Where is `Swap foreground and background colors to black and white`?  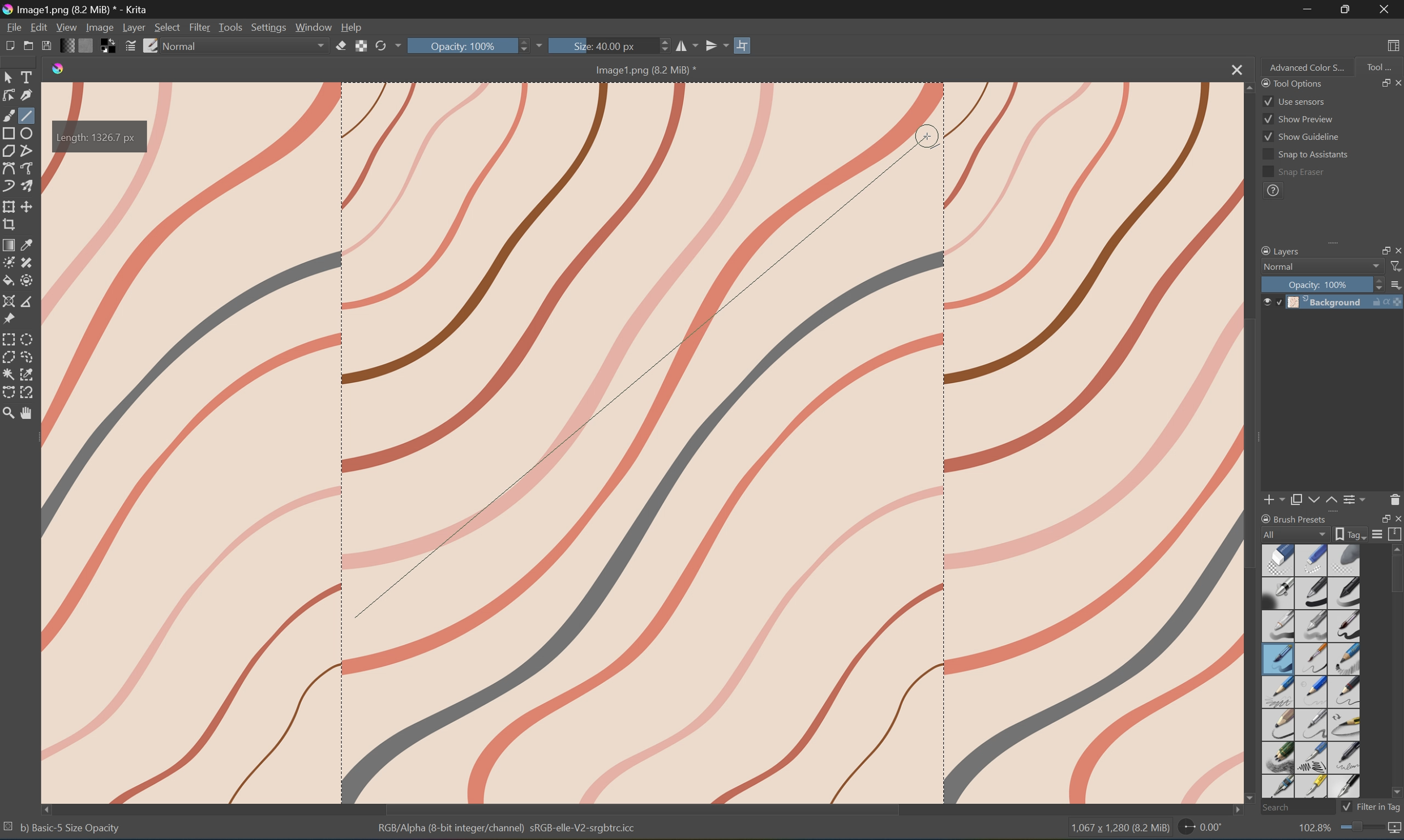 Swap foreground and background colors to black and white is located at coordinates (109, 46).